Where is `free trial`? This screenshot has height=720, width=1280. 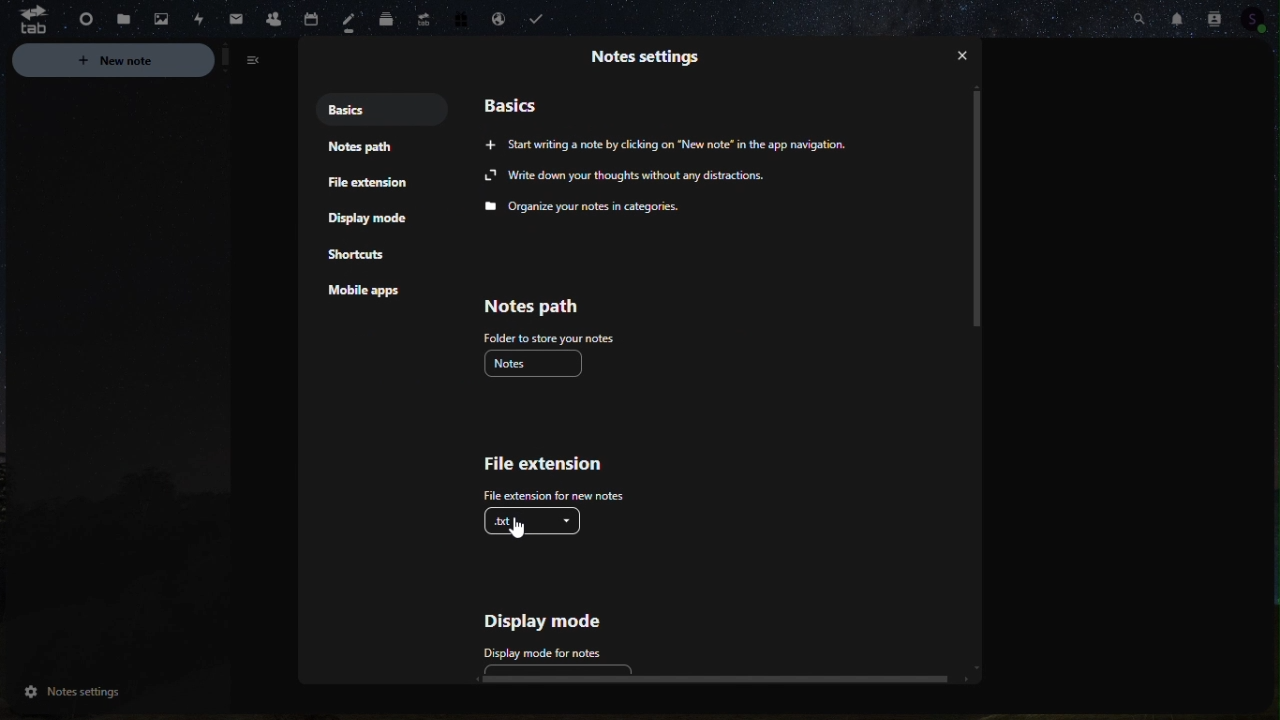
free trial is located at coordinates (456, 22).